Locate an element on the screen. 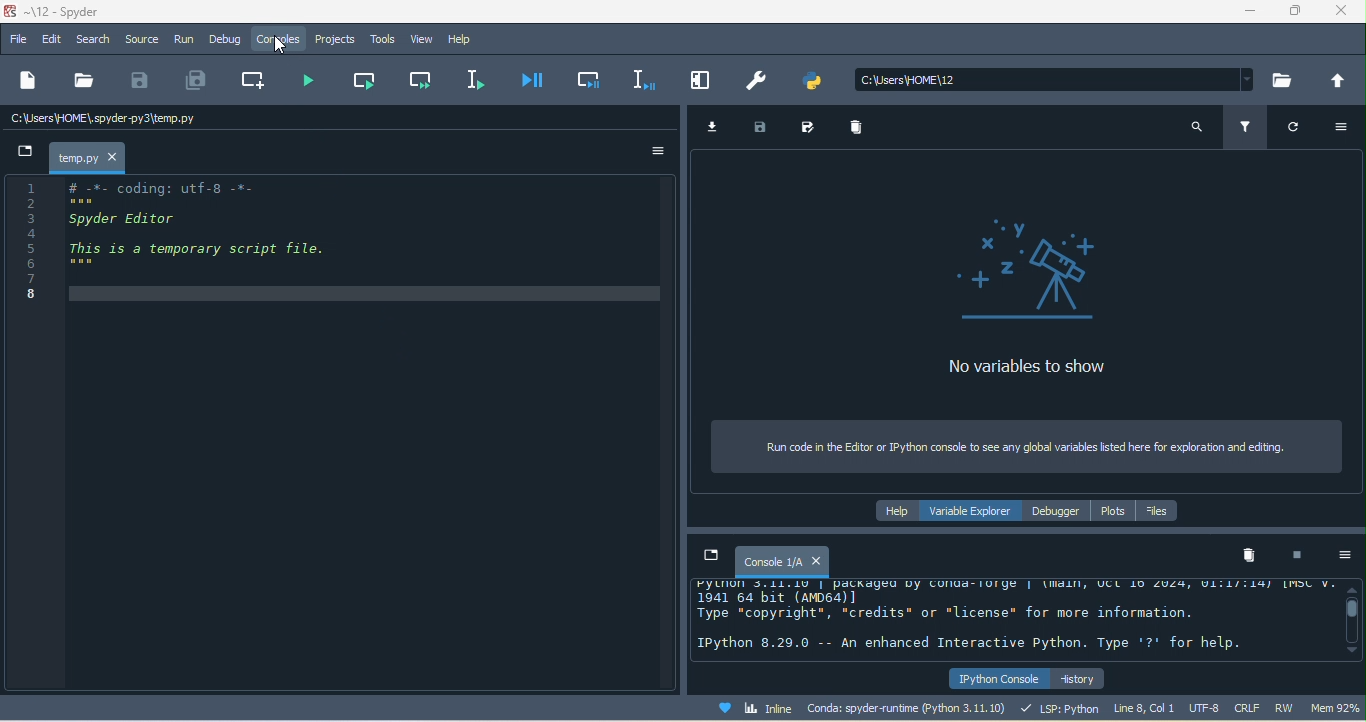  source is located at coordinates (142, 39).